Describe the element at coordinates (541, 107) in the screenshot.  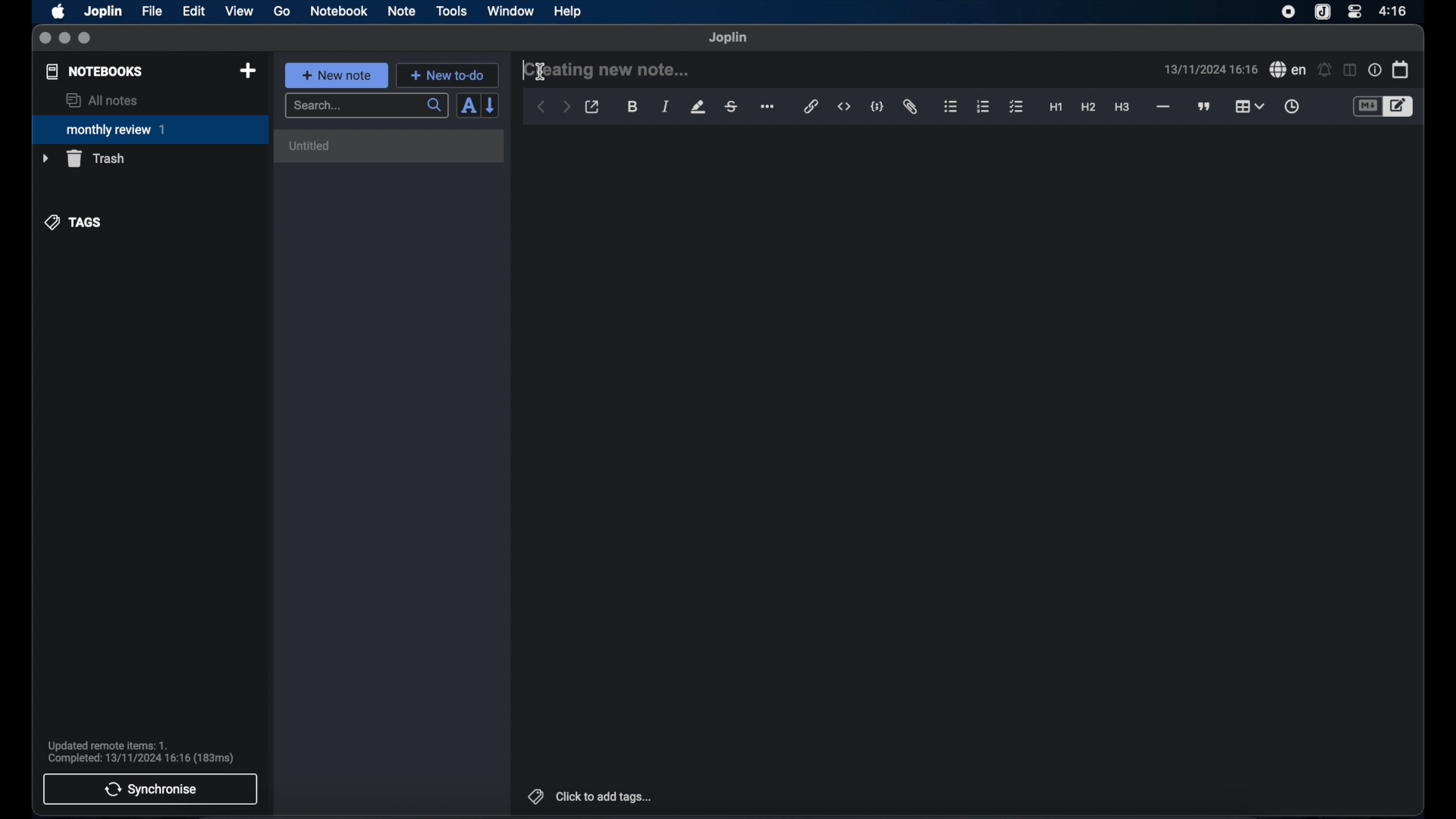
I see `back` at that location.